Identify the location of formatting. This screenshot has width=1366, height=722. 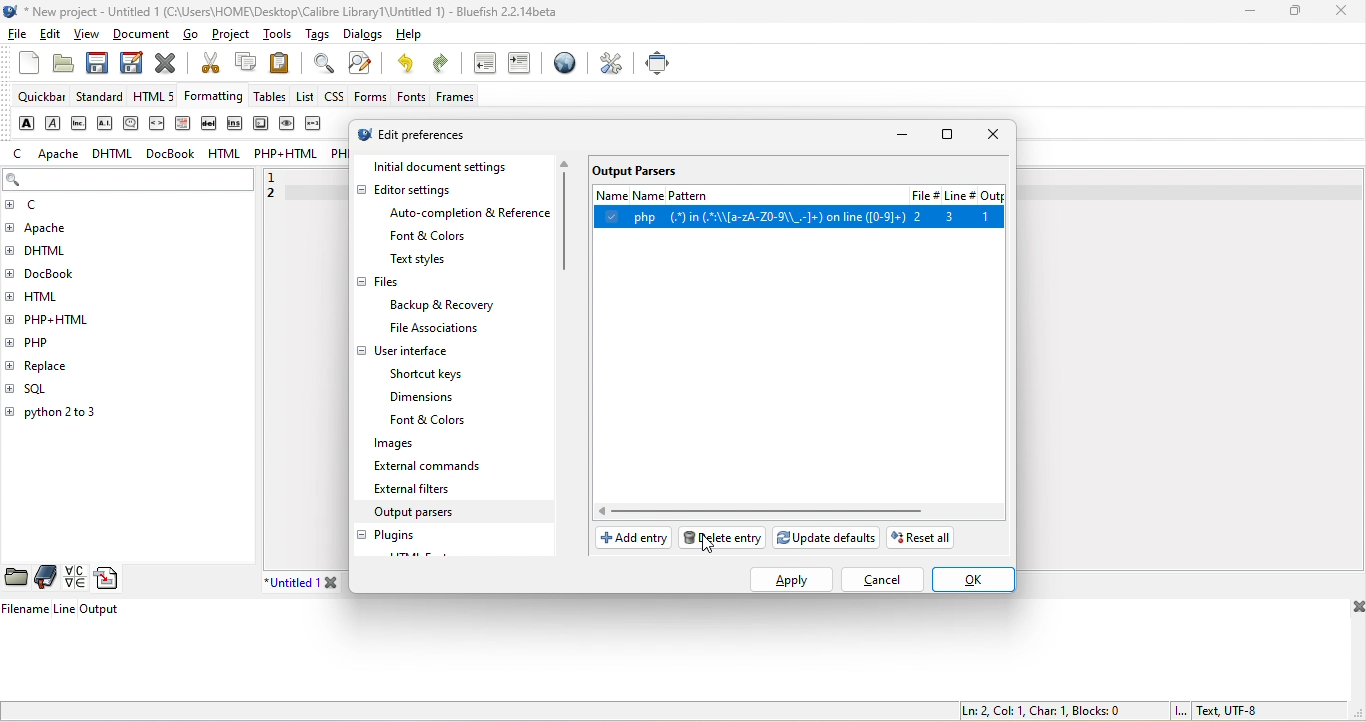
(217, 97).